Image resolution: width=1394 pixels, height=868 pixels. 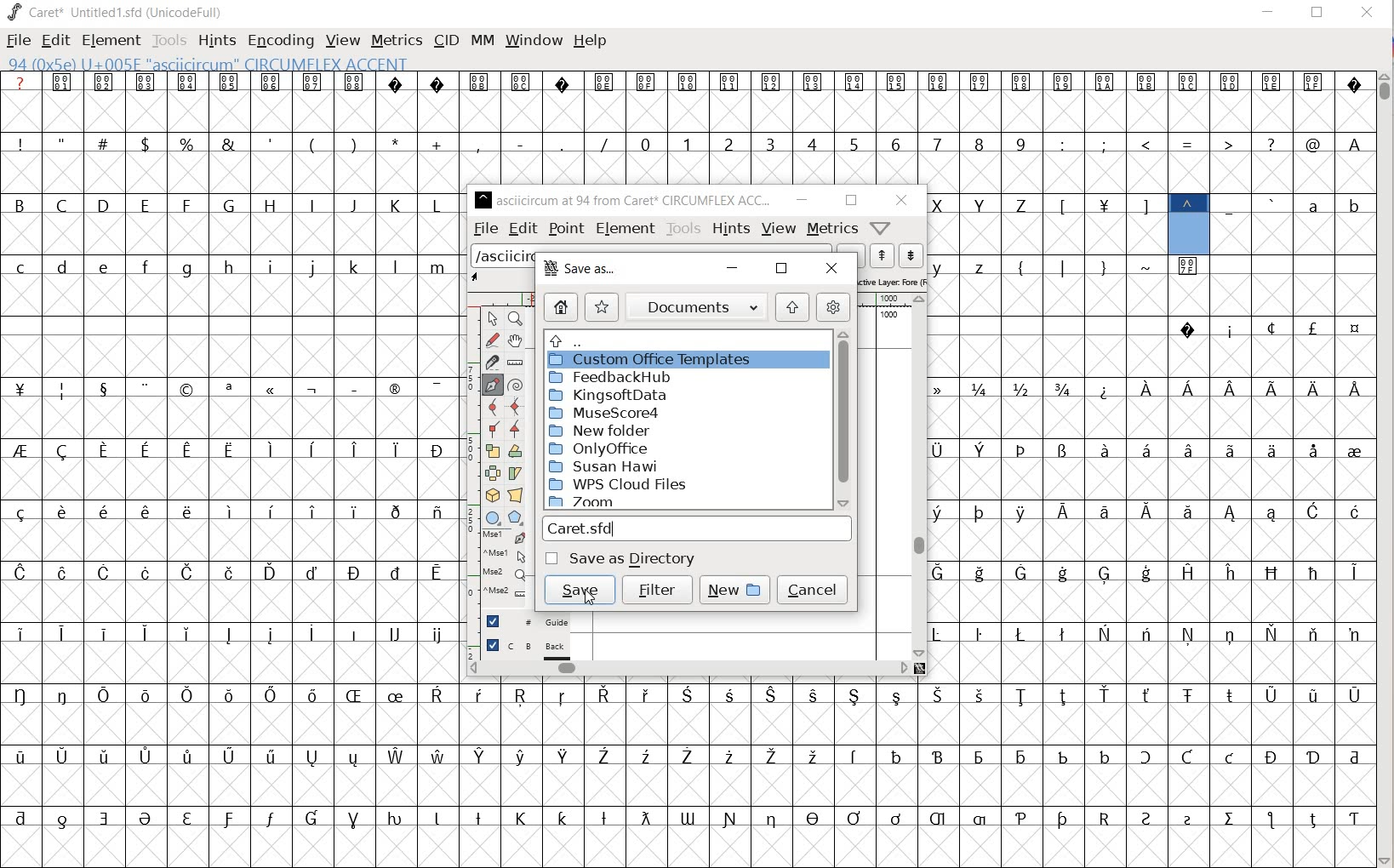 What do you see at coordinates (1151, 468) in the screenshot?
I see `glyph characters` at bounding box center [1151, 468].